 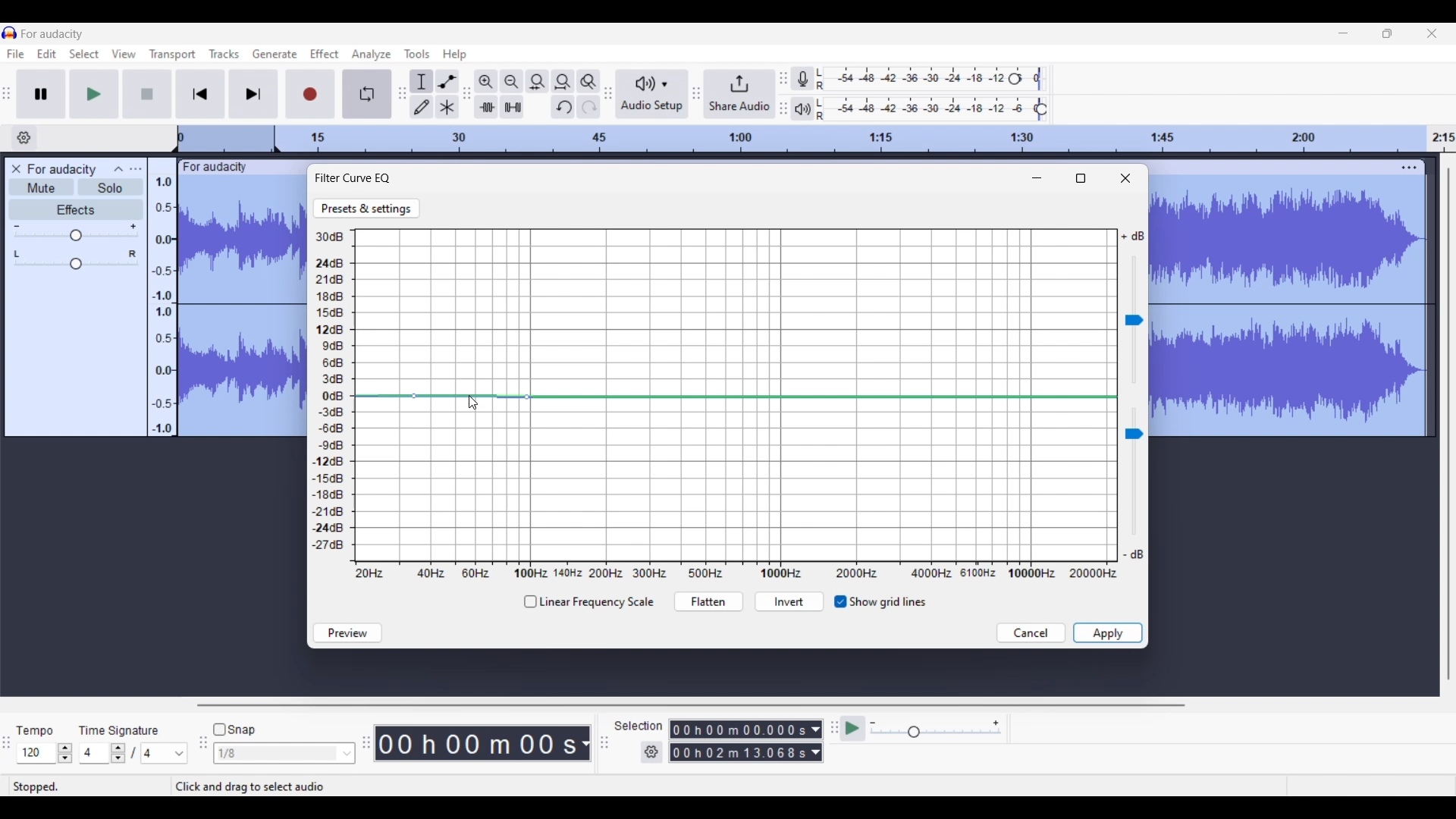 What do you see at coordinates (639, 727) in the screenshot?
I see `Selection` at bounding box center [639, 727].